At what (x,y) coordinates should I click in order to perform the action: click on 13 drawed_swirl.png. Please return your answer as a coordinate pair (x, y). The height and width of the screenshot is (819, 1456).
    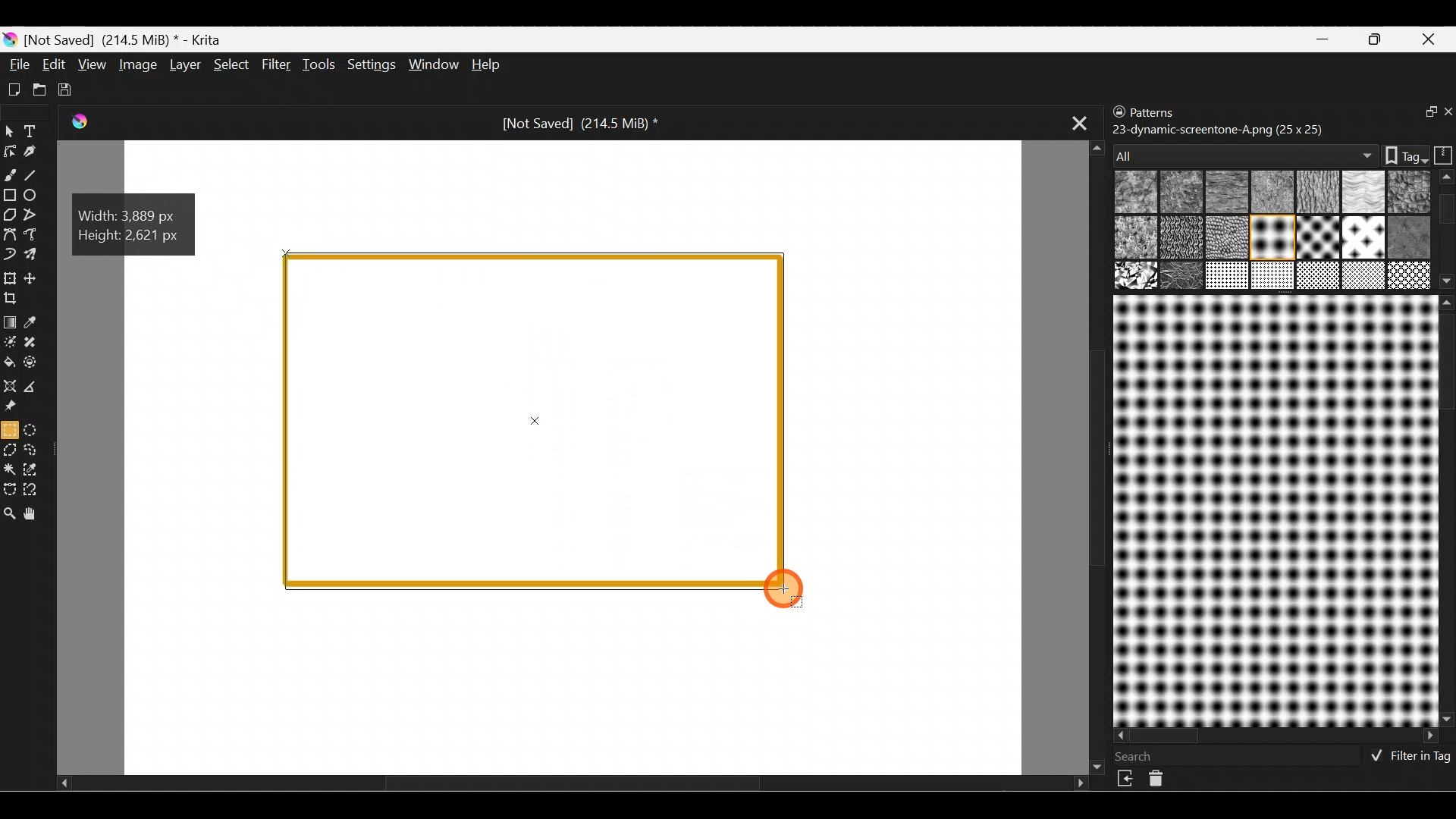
    Looking at the image, I should click on (1412, 235).